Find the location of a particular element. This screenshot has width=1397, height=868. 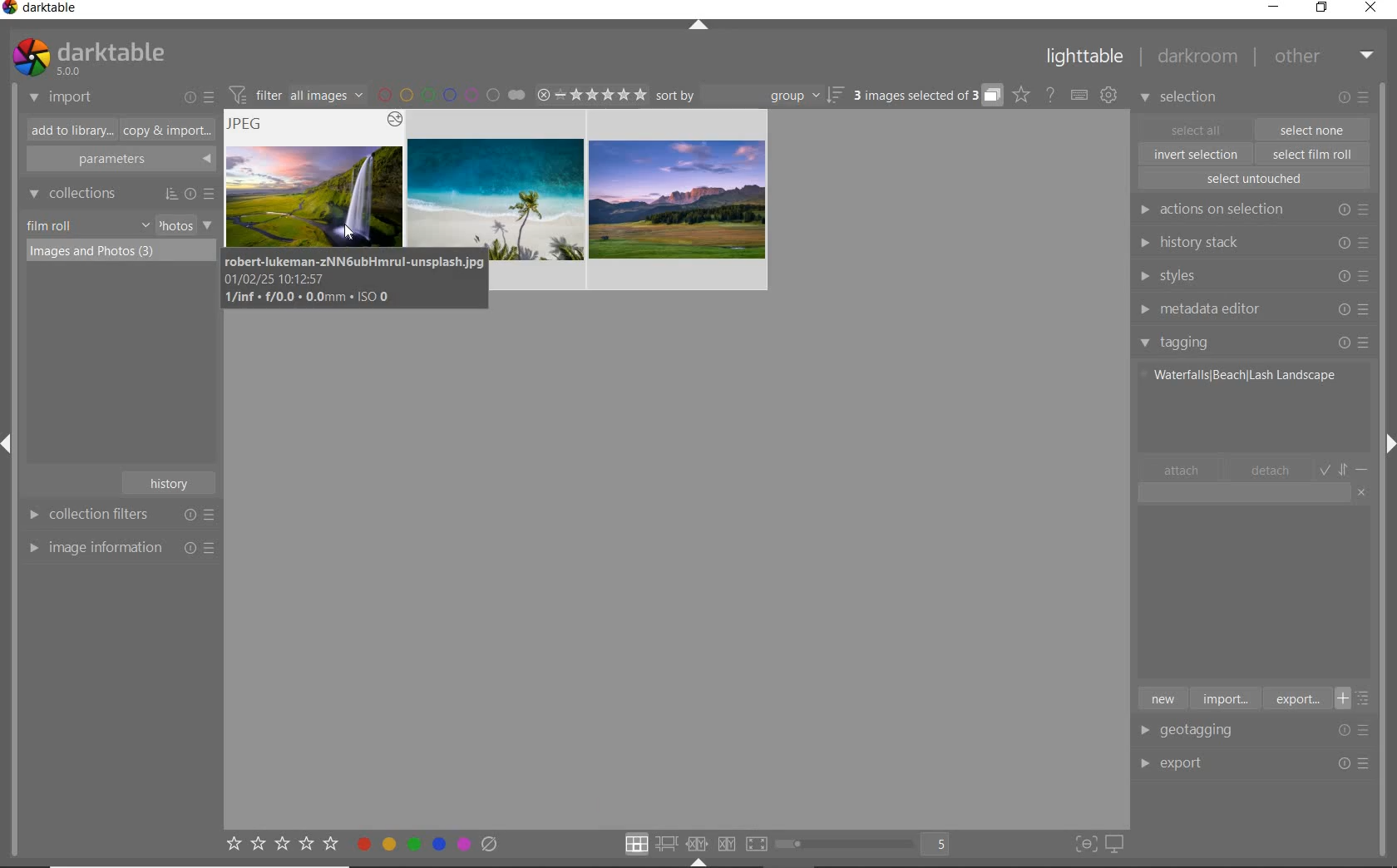

import is located at coordinates (62, 98).